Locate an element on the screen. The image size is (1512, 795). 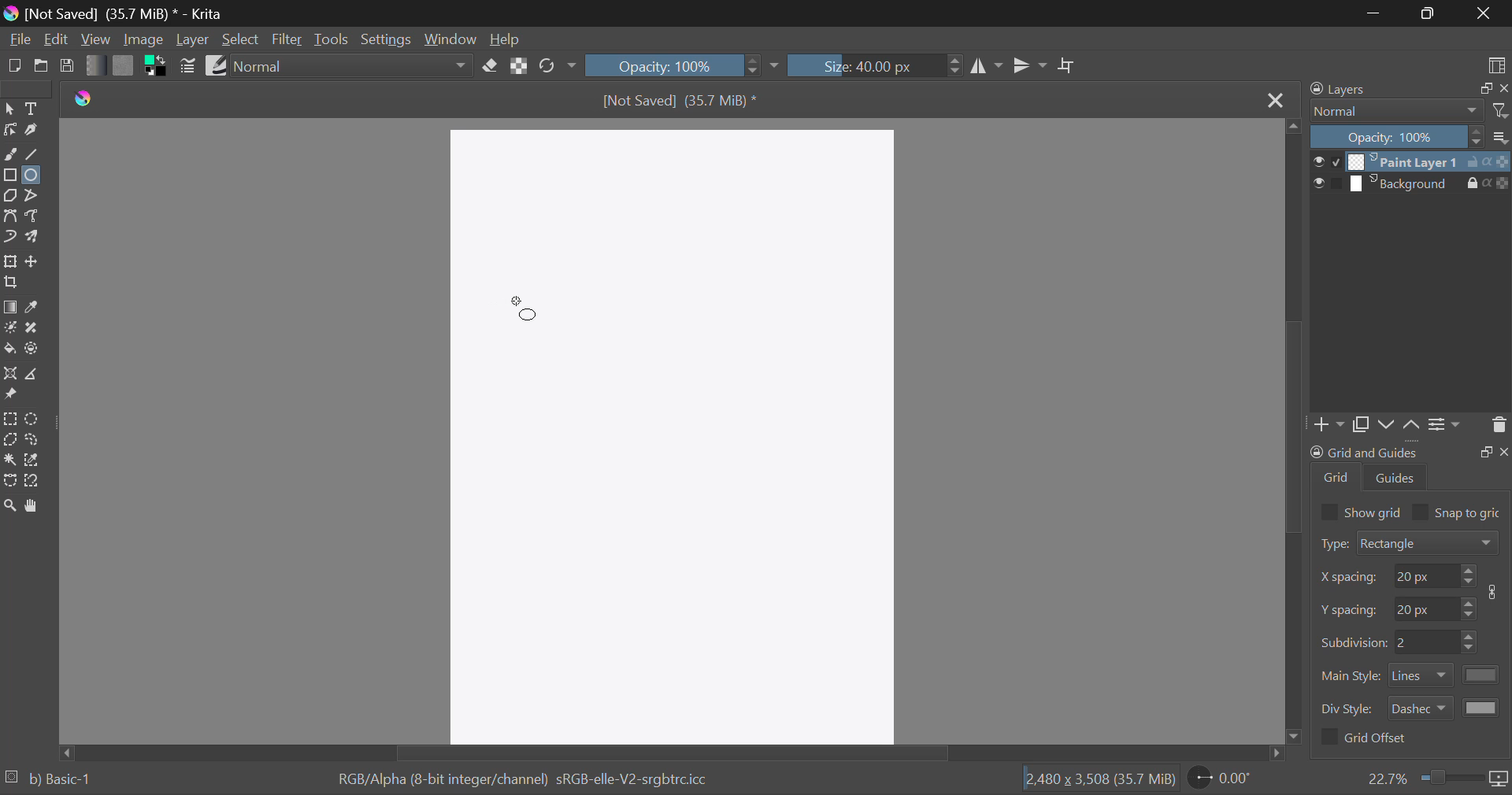
Movement of Layers is located at coordinates (1402, 426).